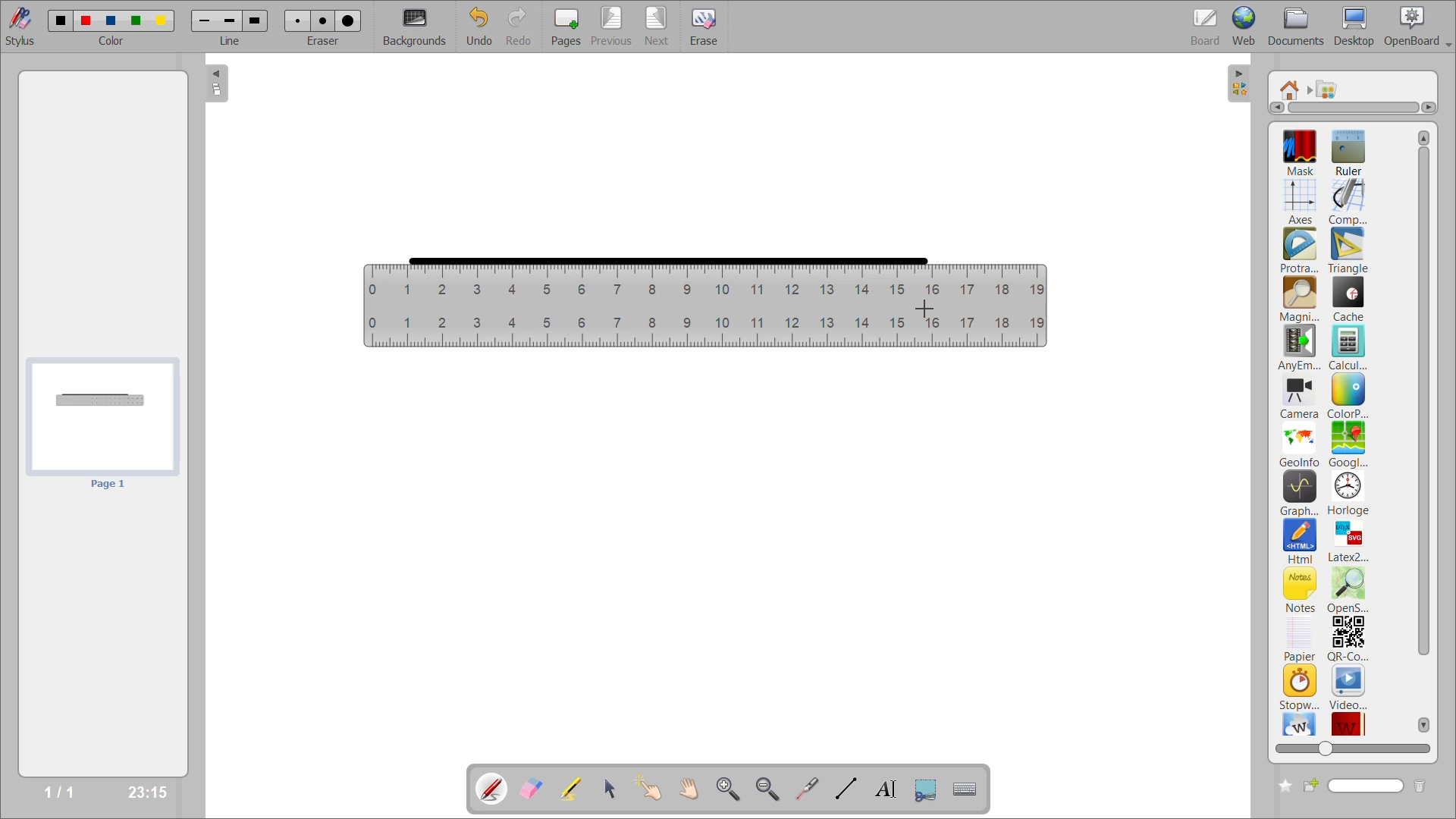 The image size is (1456, 819). Describe the element at coordinates (522, 25) in the screenshot. I see `redo` at that location.